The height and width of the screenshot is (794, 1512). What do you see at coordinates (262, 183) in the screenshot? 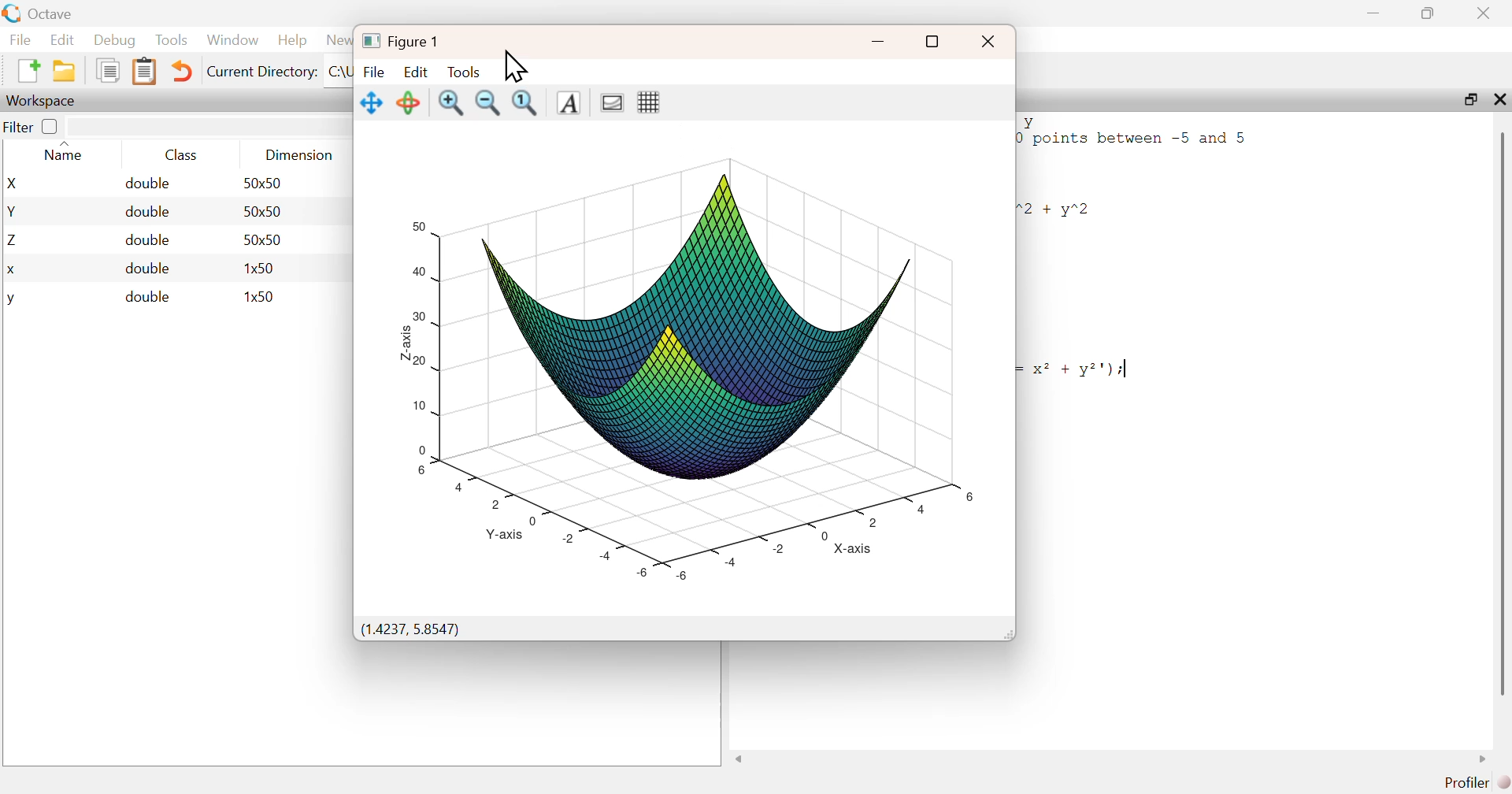
I see `50x50` at bounding box center [262, 183].